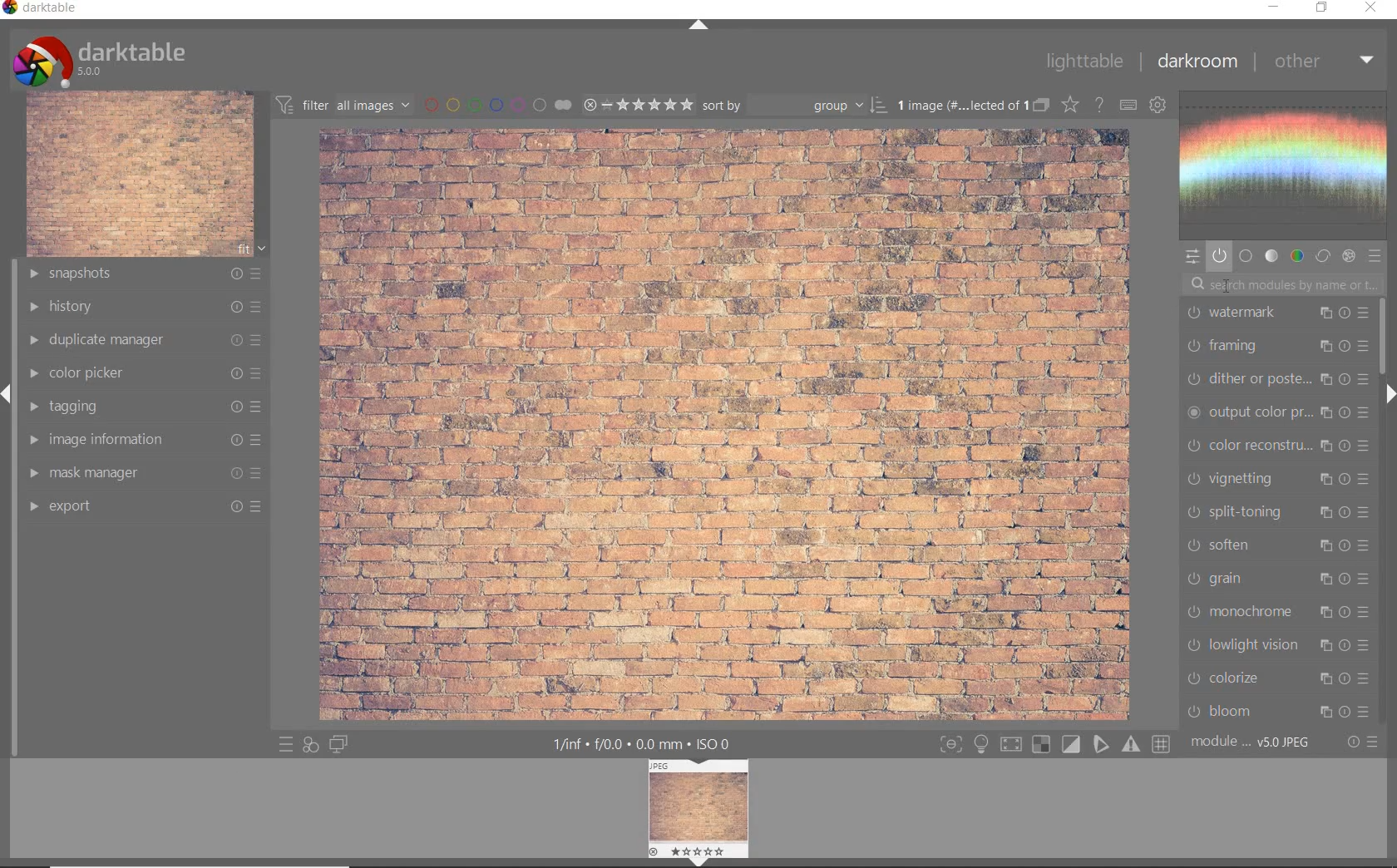 Image resolution: width=1397 pixels, height=868 pixels. What do you see at coordinates (1389, 394) in the screenshot?
I see `next` at bounding box center [1389, 394].